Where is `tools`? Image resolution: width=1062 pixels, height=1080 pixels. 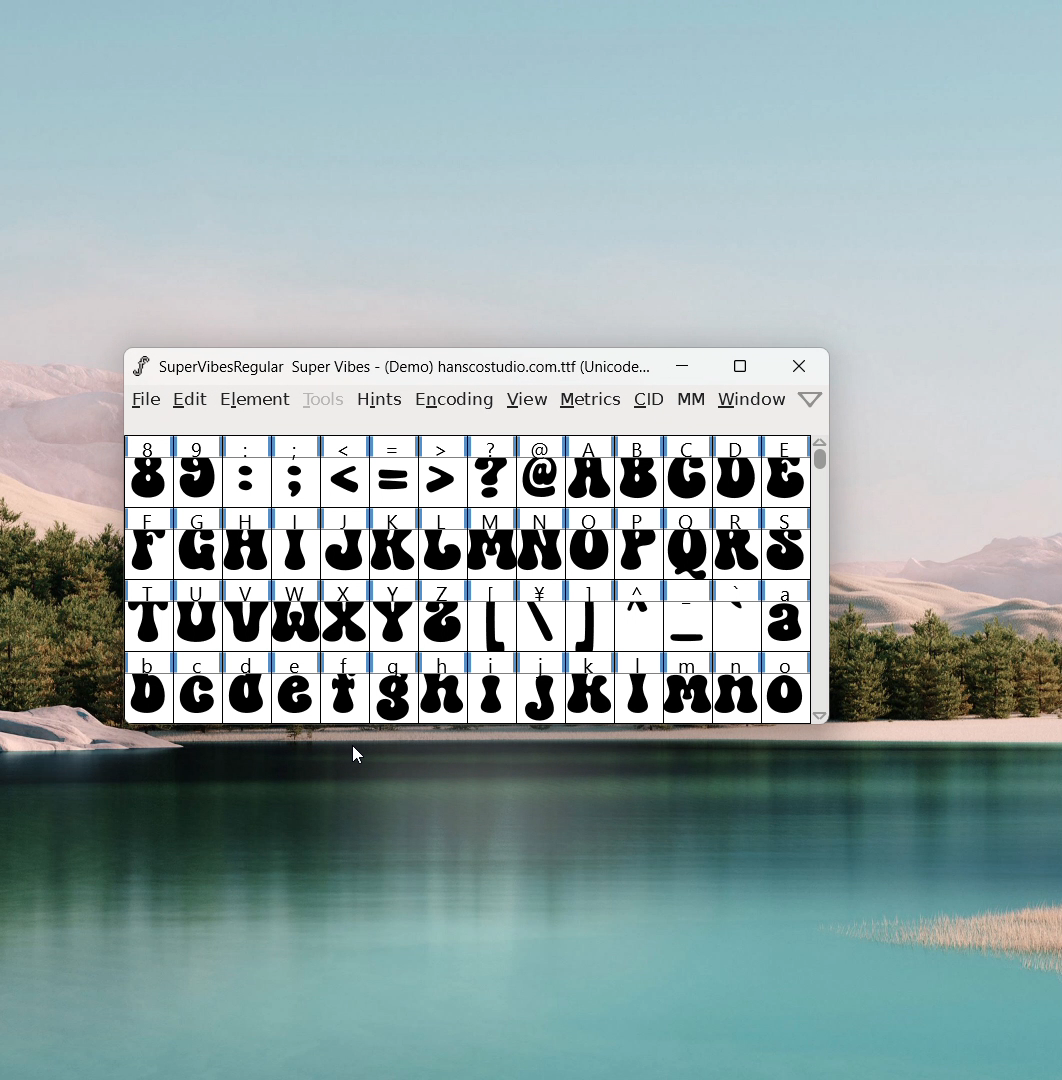
tools is located at coordinates (323, 399).